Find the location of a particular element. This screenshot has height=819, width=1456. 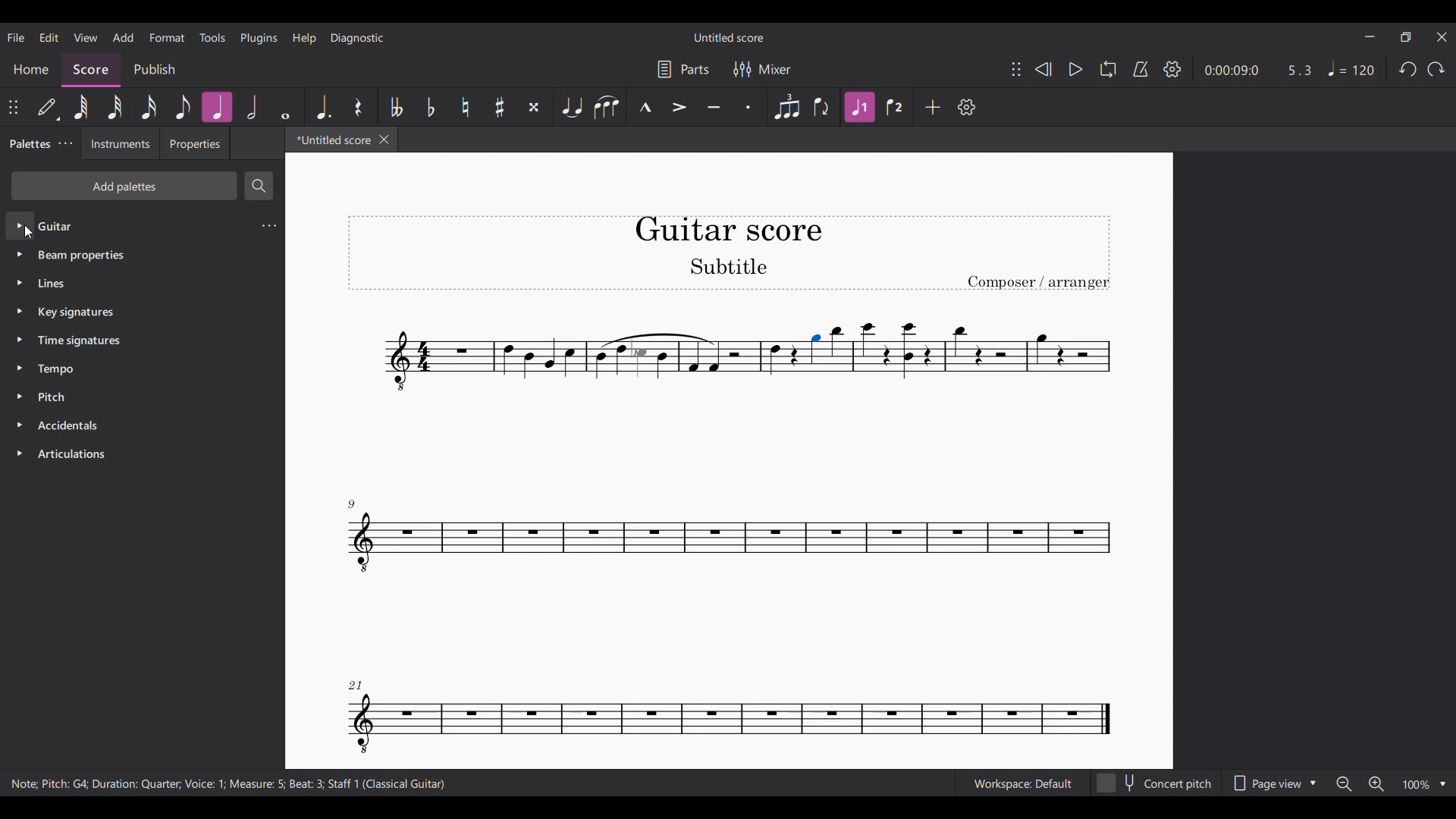

Redo is located at coordinates (1436, 69).